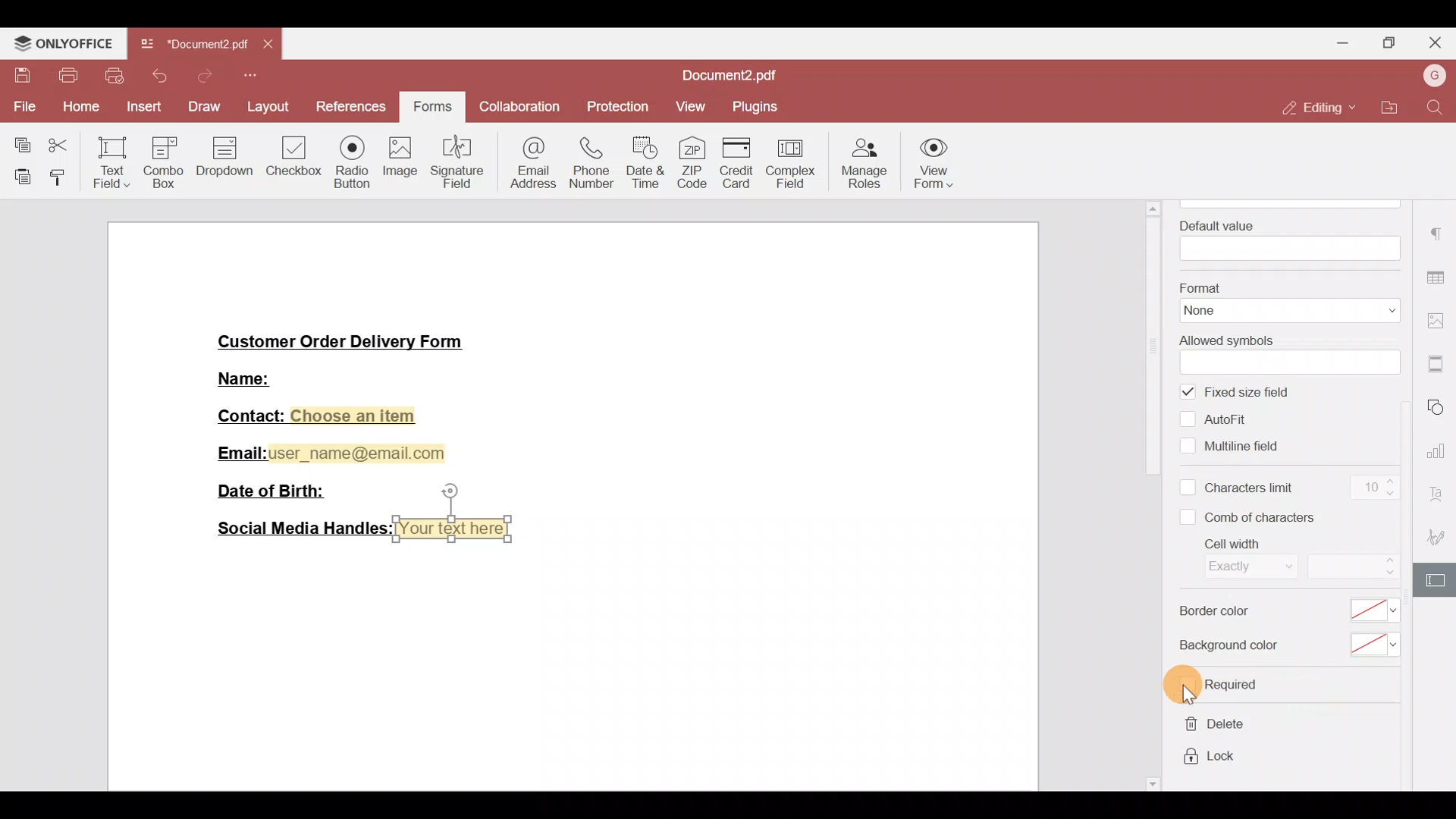  I want to click on Font settings, so click(1442, 493).